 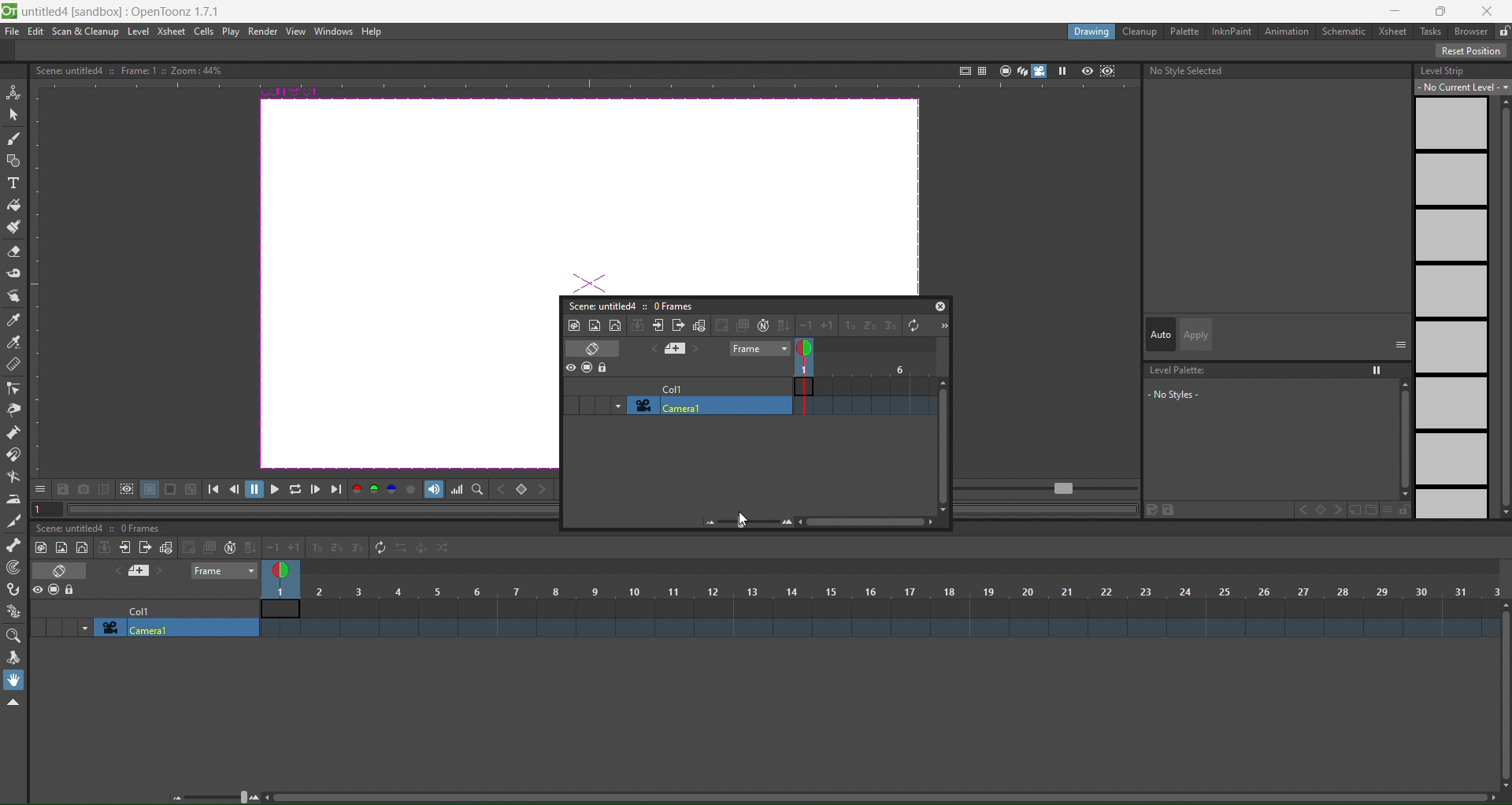 I want to click on add new memo, so click(x=140, y=572).